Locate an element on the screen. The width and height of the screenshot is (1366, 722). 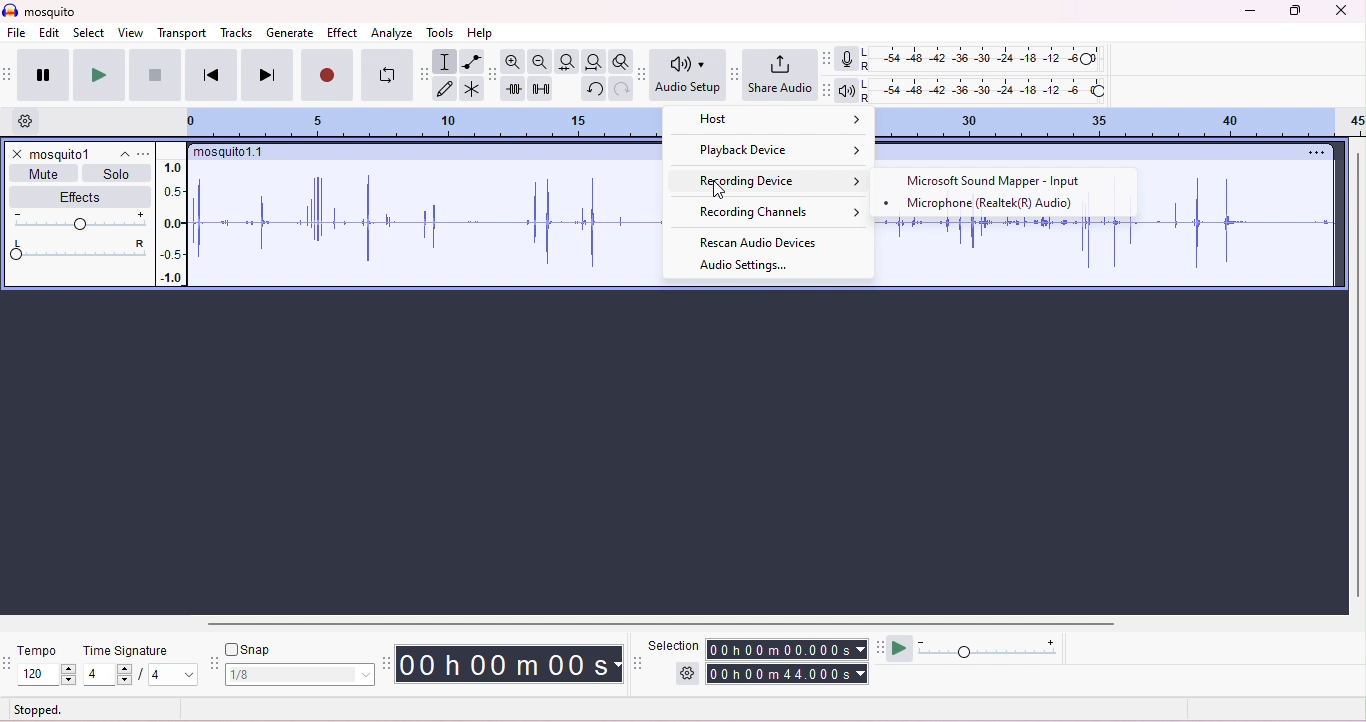
next is located at coordinates (267, 74).